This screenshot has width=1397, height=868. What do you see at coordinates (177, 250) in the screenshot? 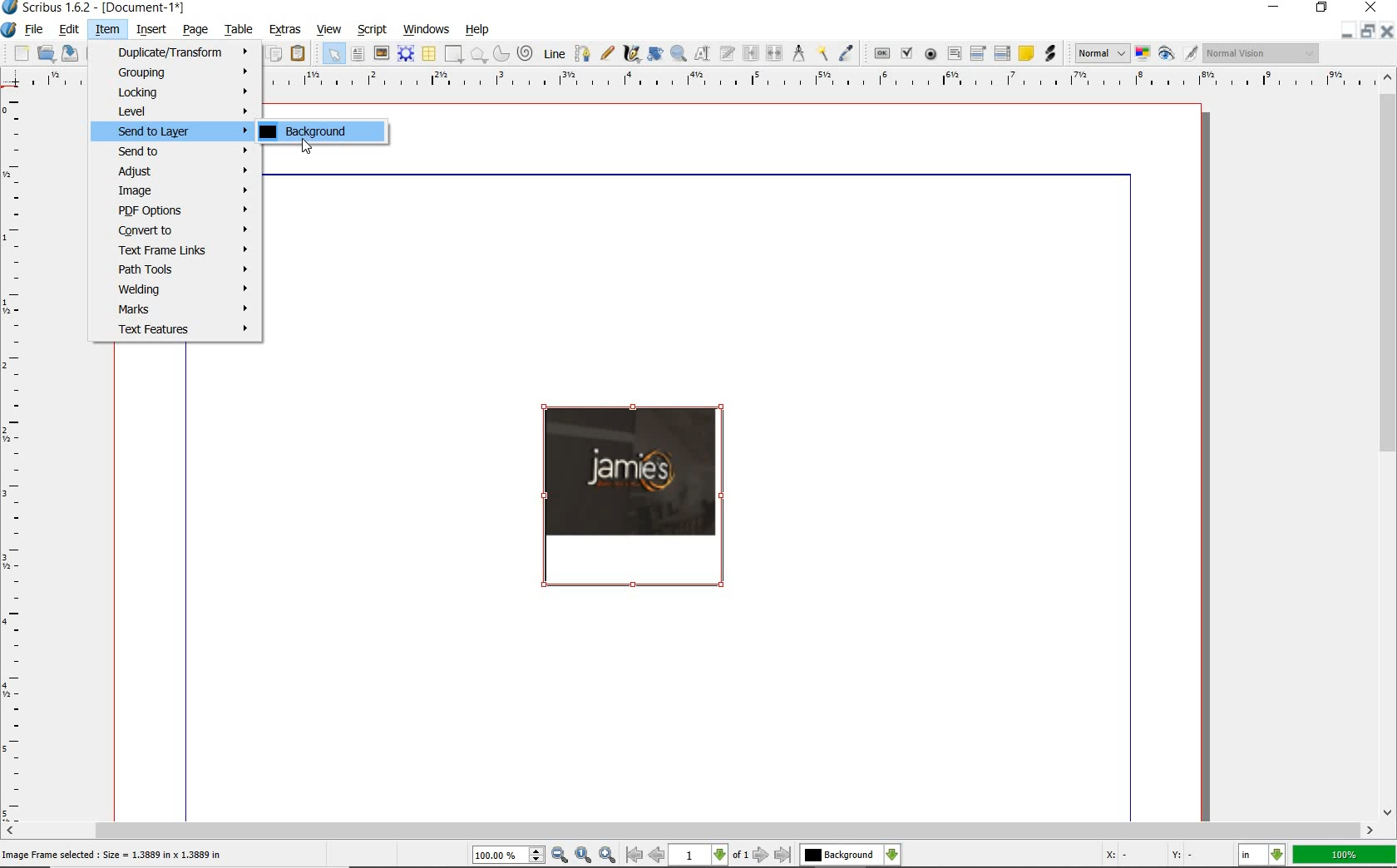
I see `Text Frame Links` at bounding box center [177, 250].